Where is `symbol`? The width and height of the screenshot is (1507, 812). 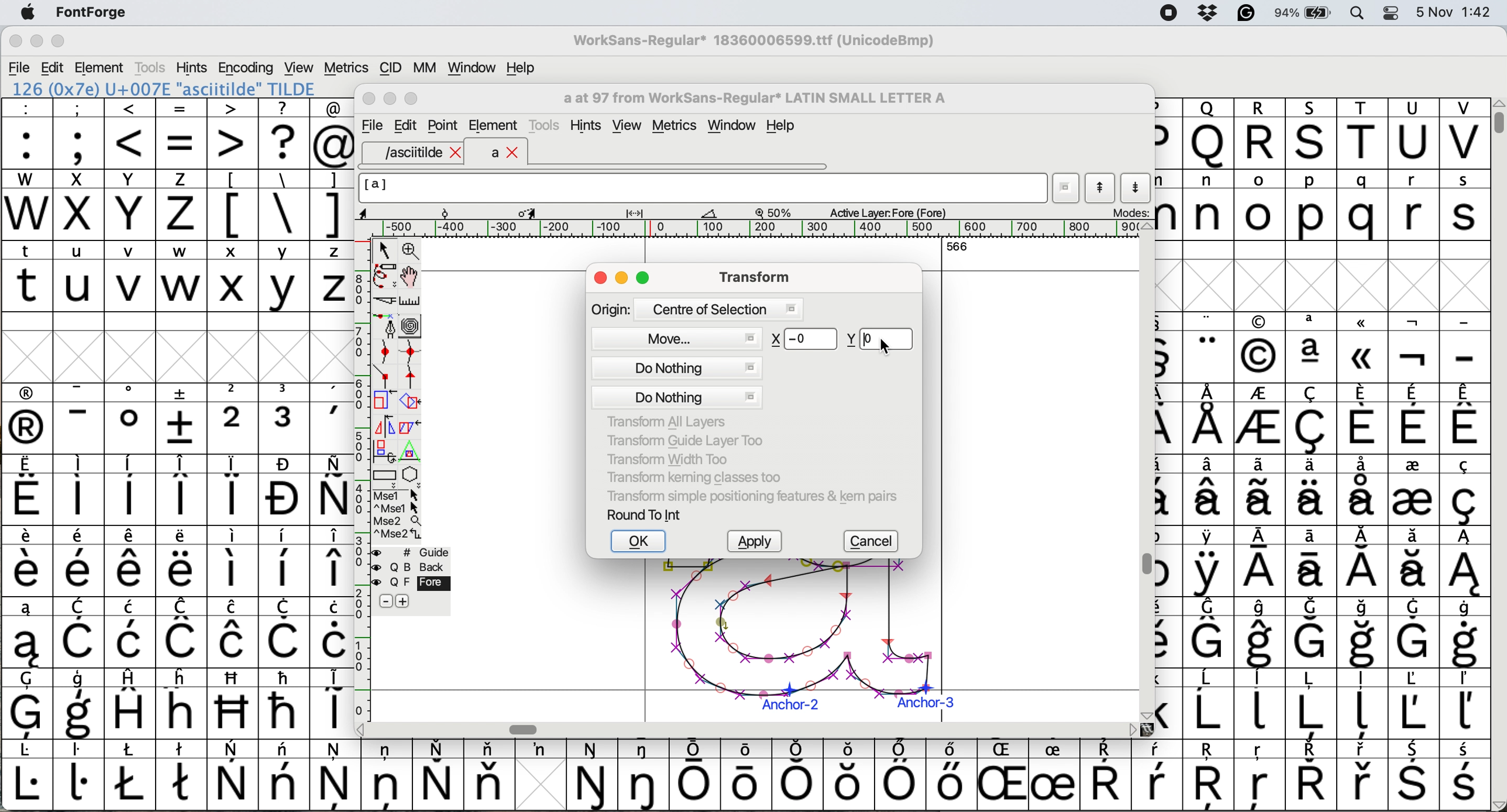
symbol is located at coordinates (27, 562).